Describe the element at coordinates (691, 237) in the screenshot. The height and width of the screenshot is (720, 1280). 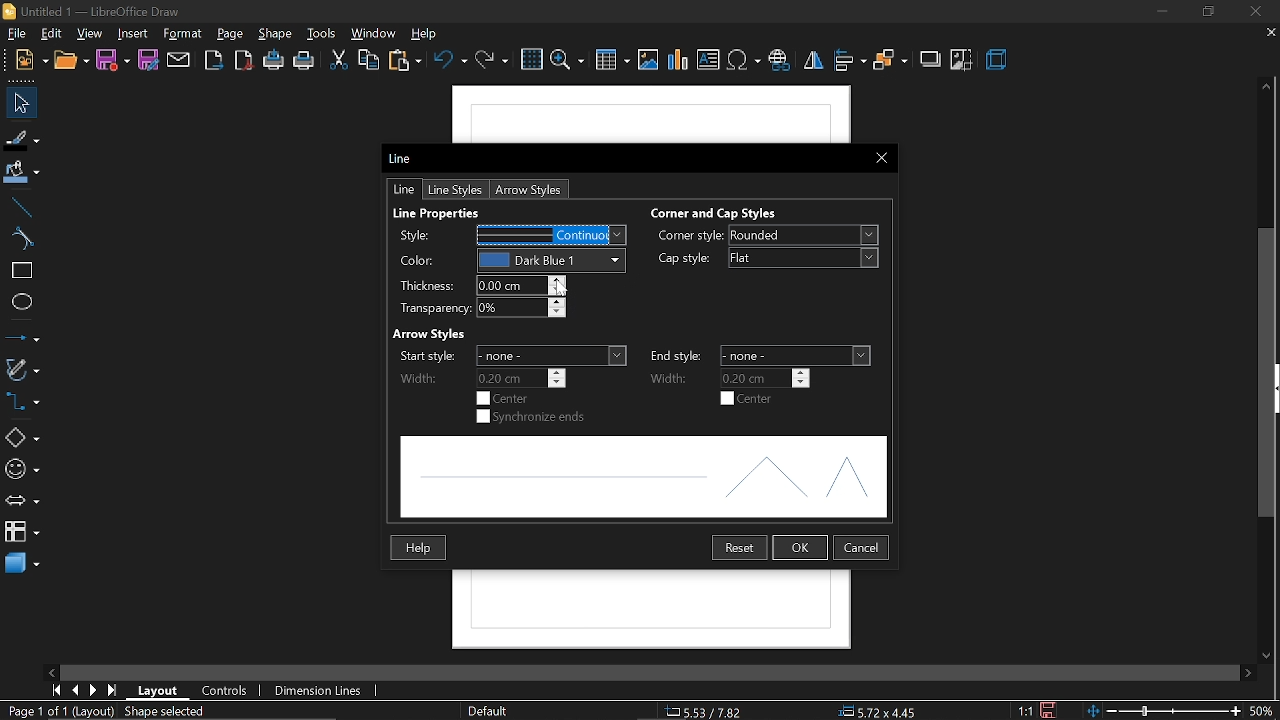
I see `Comer style:` at that location.